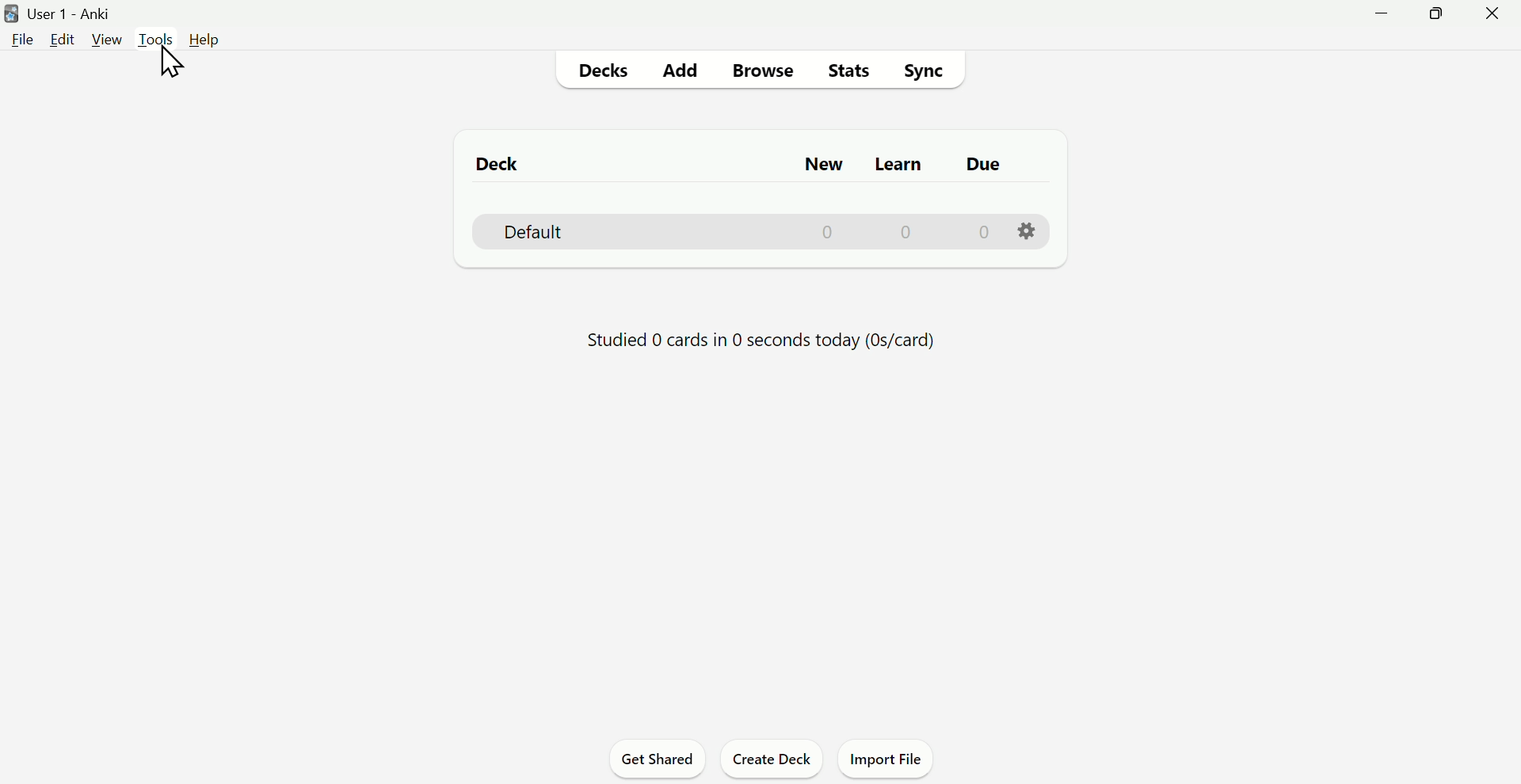  Describe the element at coordinates (761, 341) in the screenshot. I see `Studied 0 cards in 0 seconds today (0s/card)` at that location.